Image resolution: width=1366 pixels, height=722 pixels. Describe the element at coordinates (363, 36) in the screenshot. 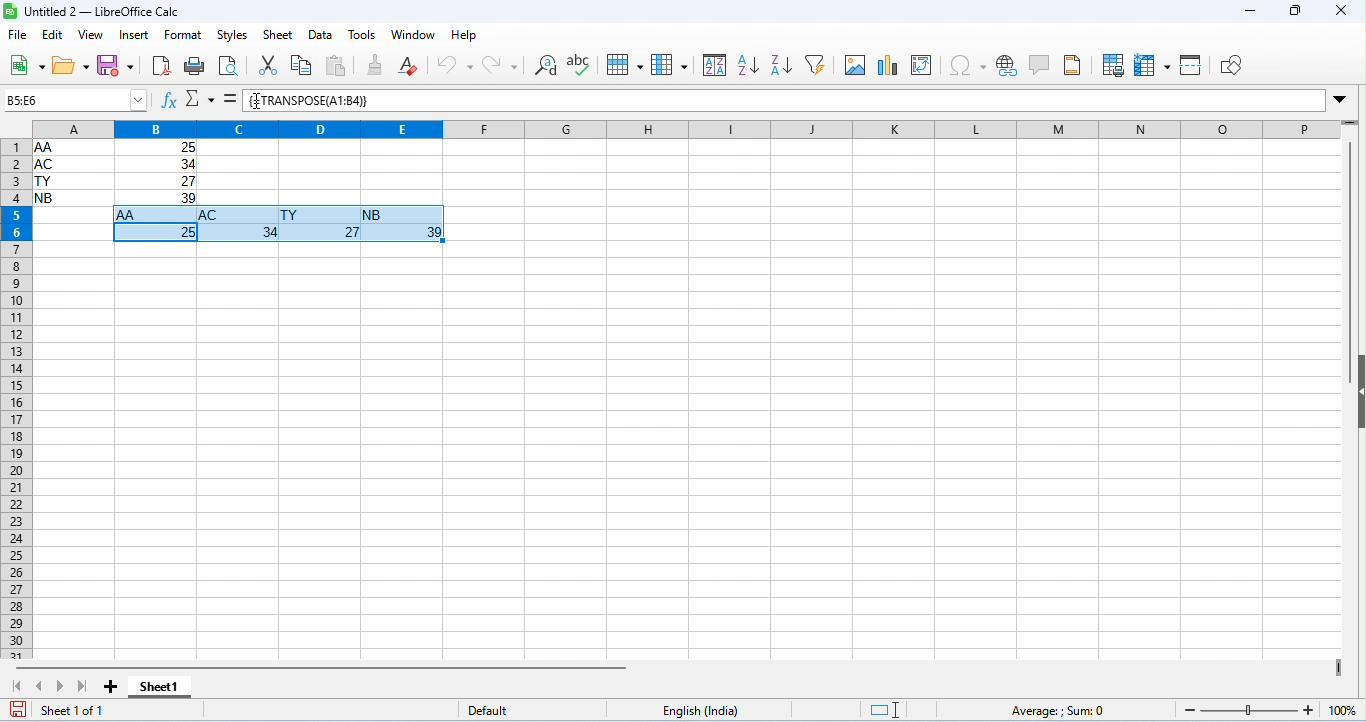

I see `tools` at that location.